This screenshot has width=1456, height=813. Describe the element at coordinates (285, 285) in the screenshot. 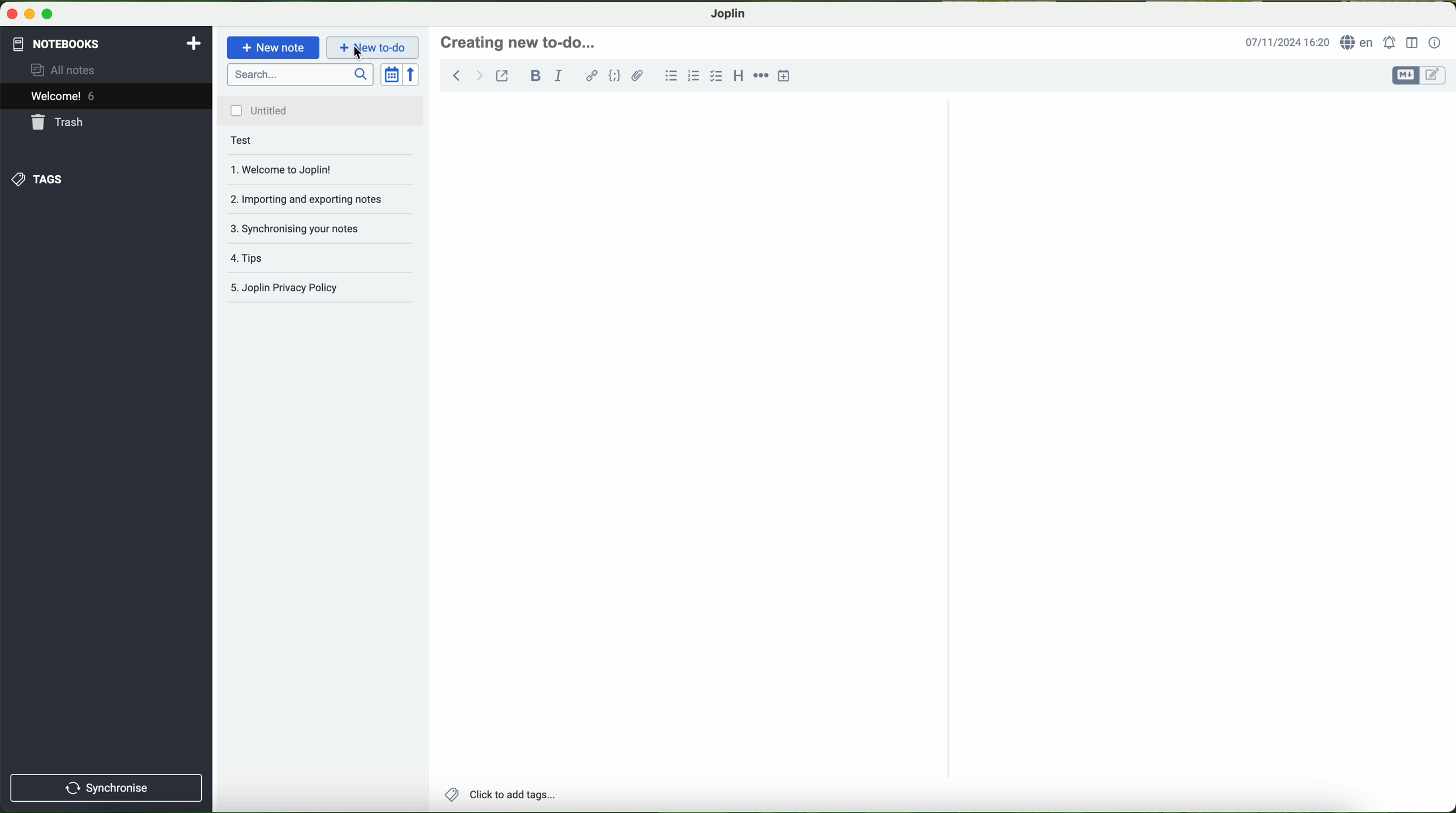

I see `Joplin privacy policy` at that location.